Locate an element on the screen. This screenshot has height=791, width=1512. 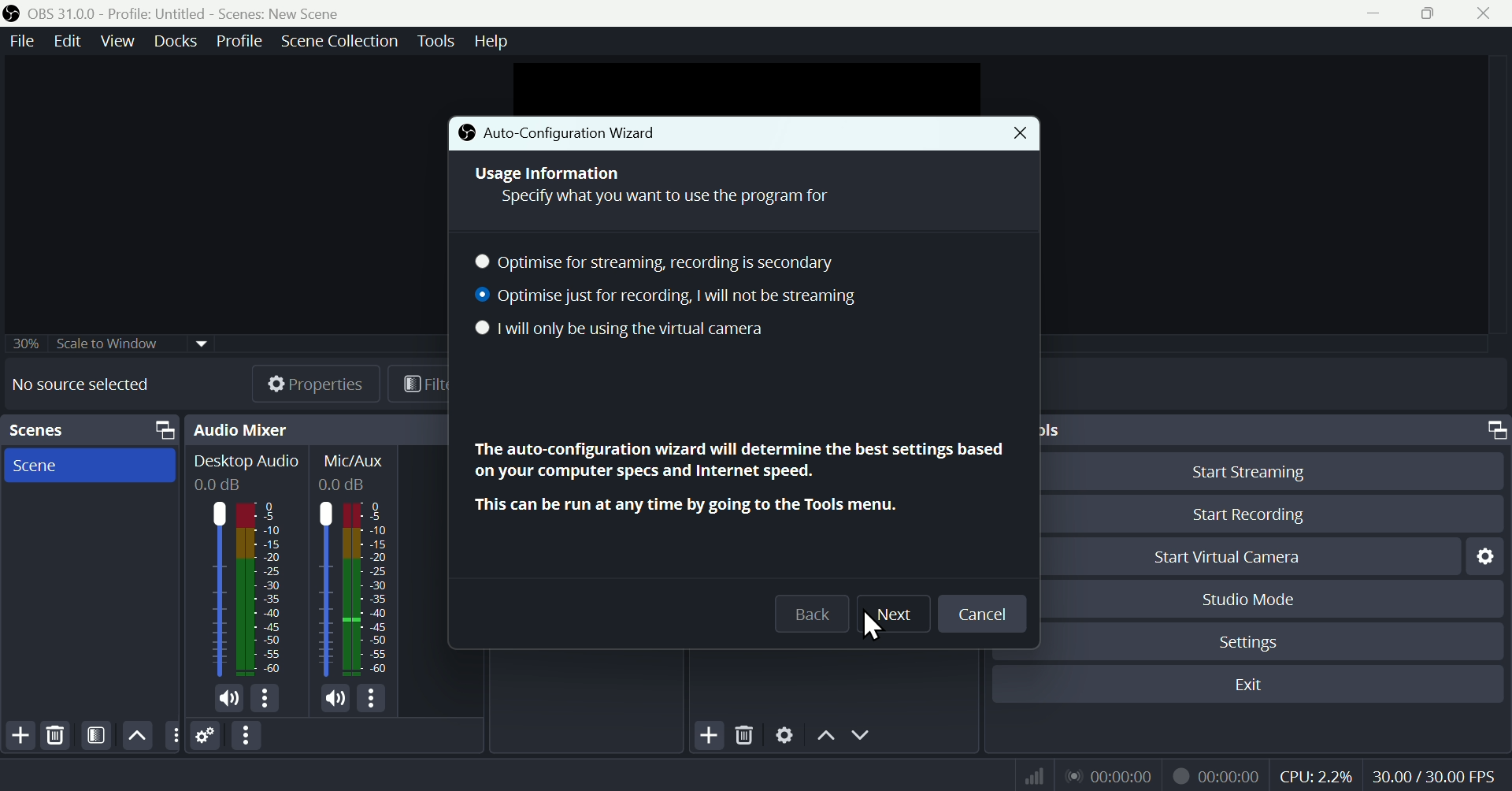
icon is located at coordinates (466, 133).